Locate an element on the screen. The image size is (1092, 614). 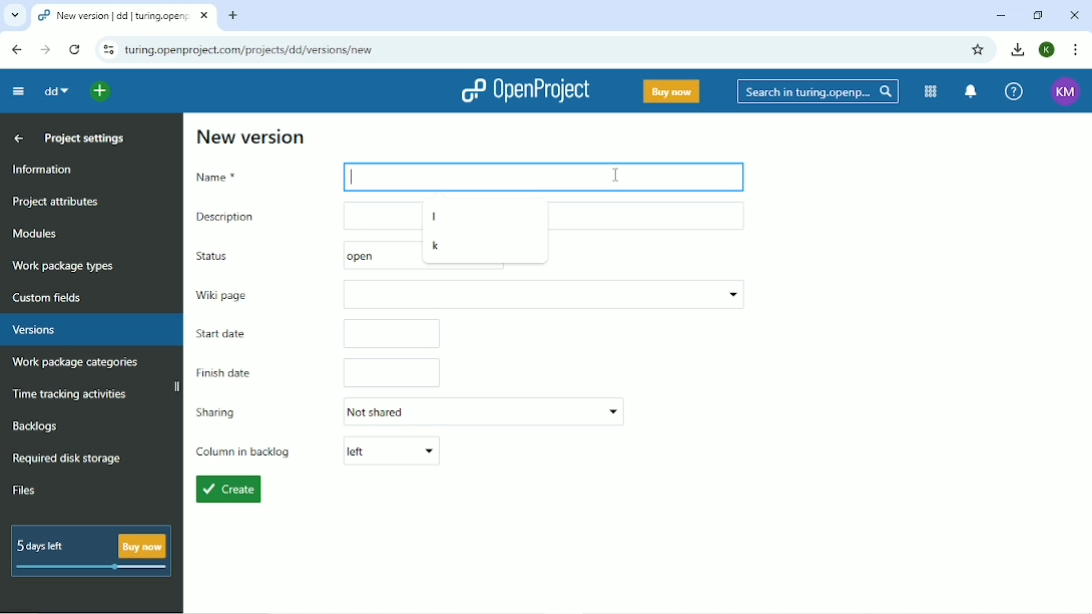
Search is located at coordinates (819, 92).